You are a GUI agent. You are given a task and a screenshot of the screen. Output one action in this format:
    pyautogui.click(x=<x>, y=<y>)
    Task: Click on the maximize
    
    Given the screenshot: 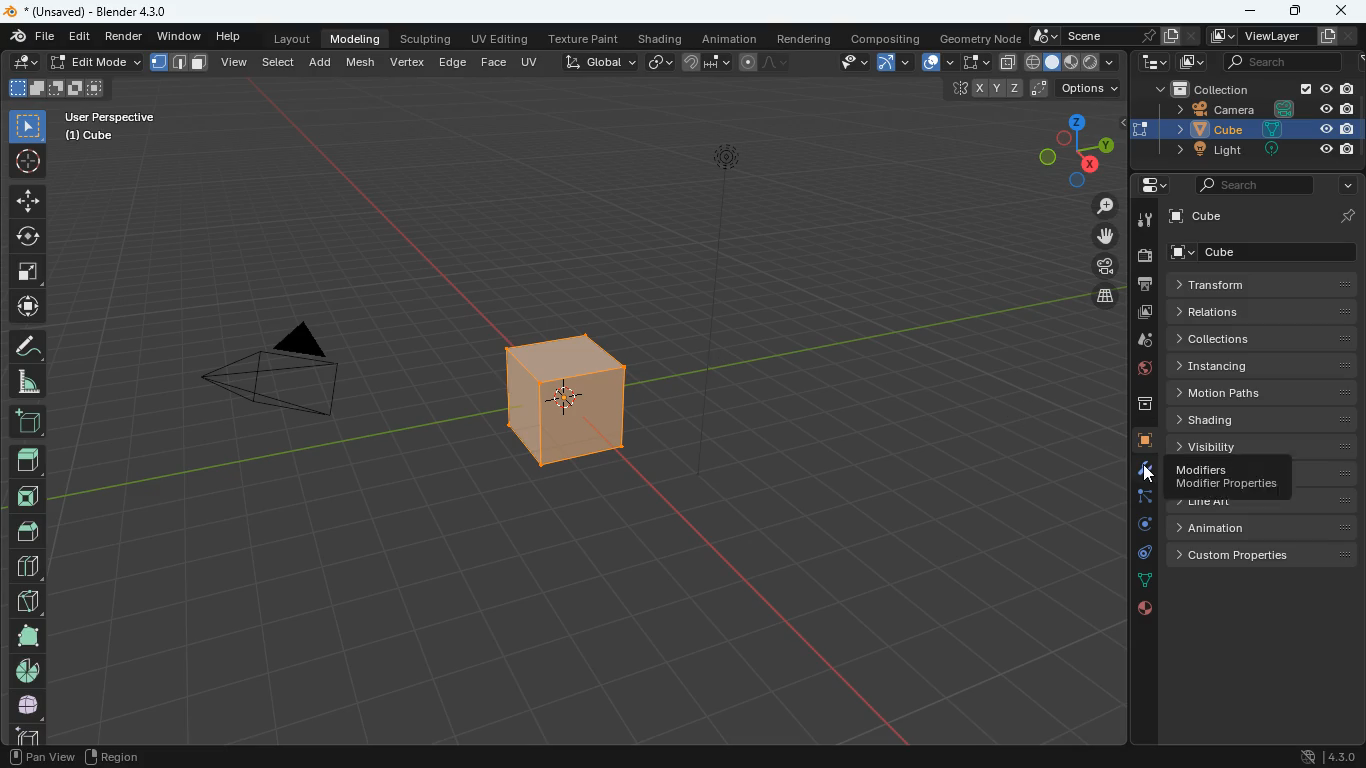 What is the action you would take?
    pyautogui.click(x=1290, y=10)
    